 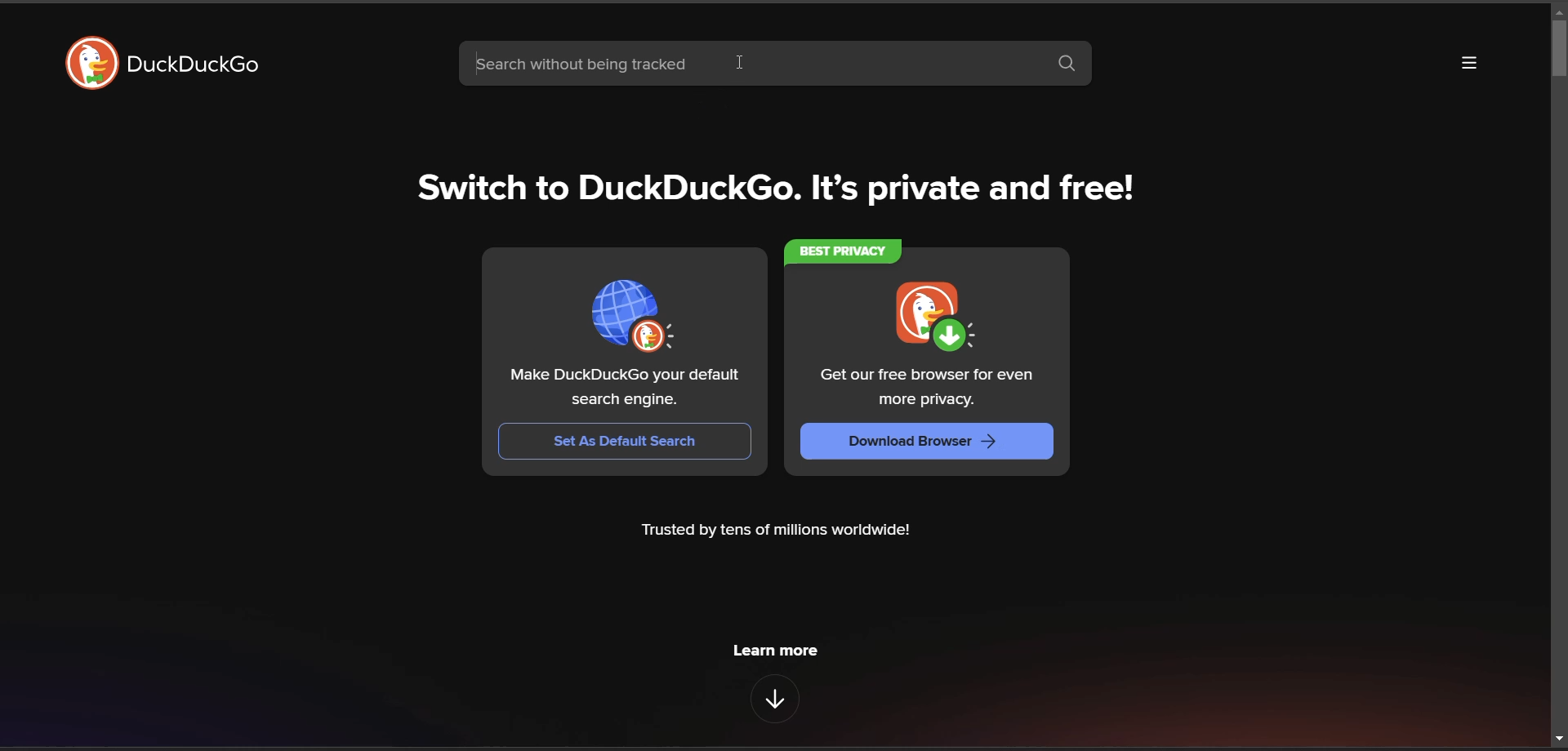 I want to click on DuckDuckGo, so click(x=192, y=64).